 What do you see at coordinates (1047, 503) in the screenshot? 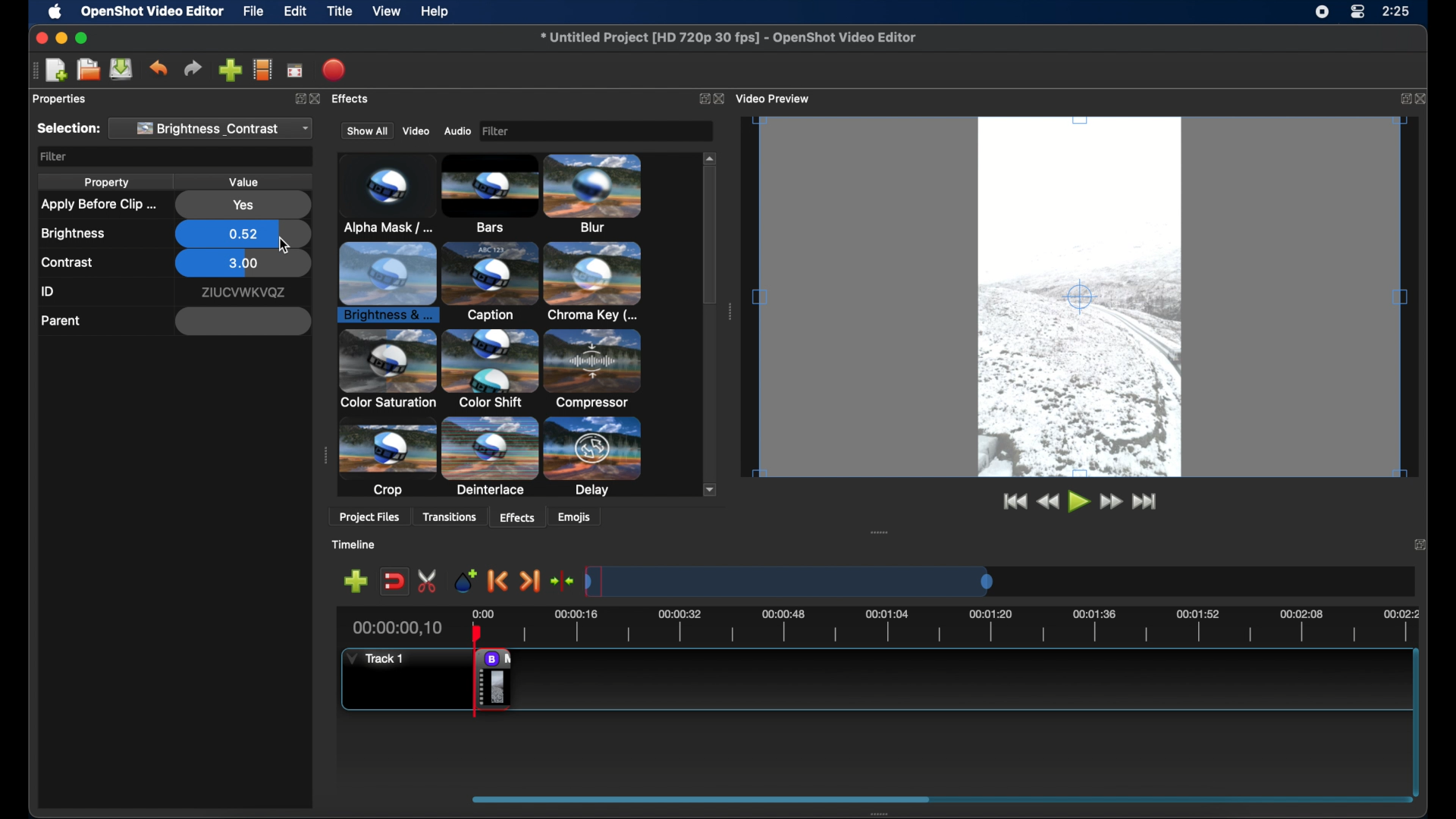
I see `rewind` at bounding box center [1047, 503].